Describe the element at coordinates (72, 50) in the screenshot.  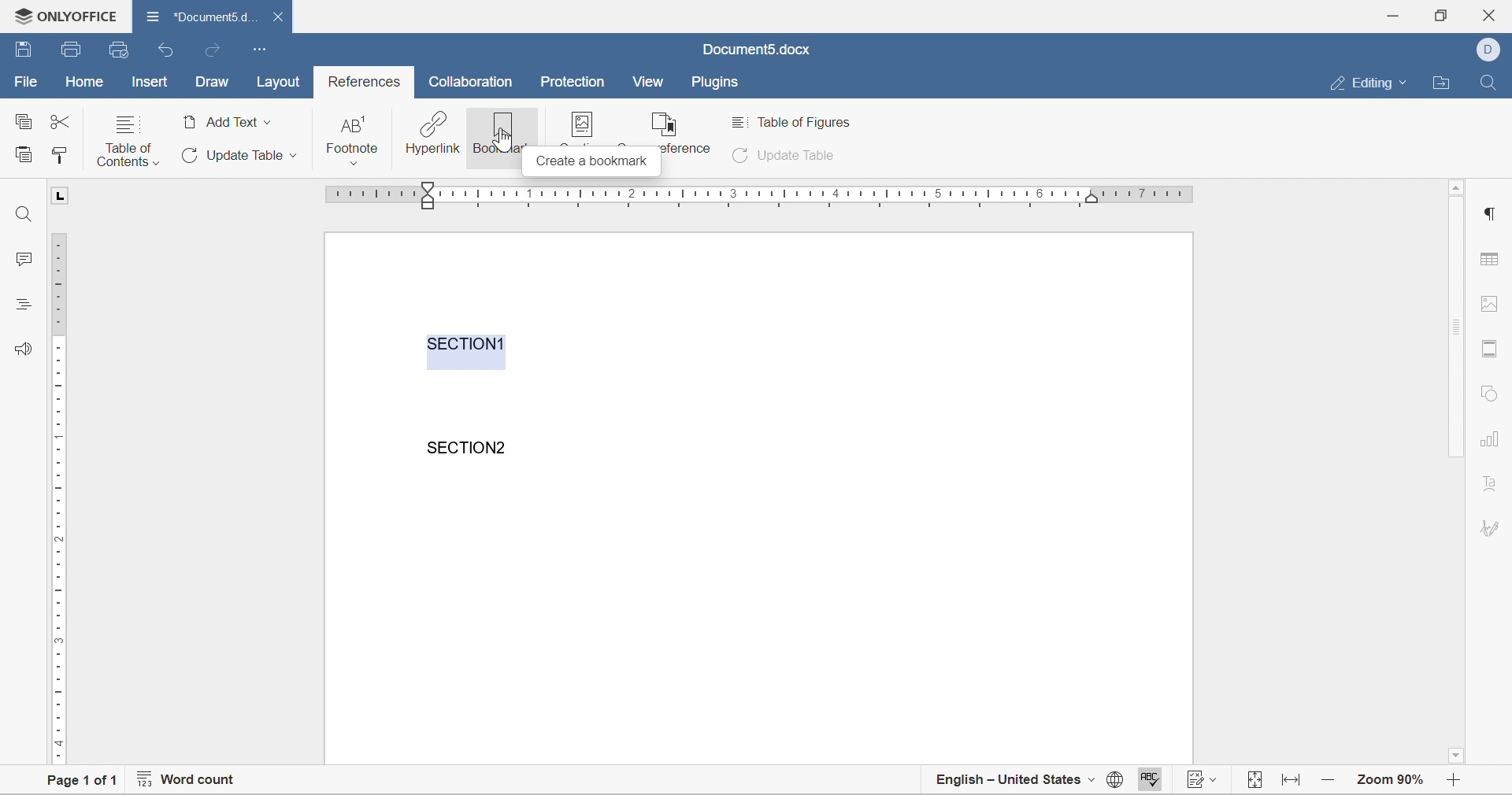
I see `save` at that location.